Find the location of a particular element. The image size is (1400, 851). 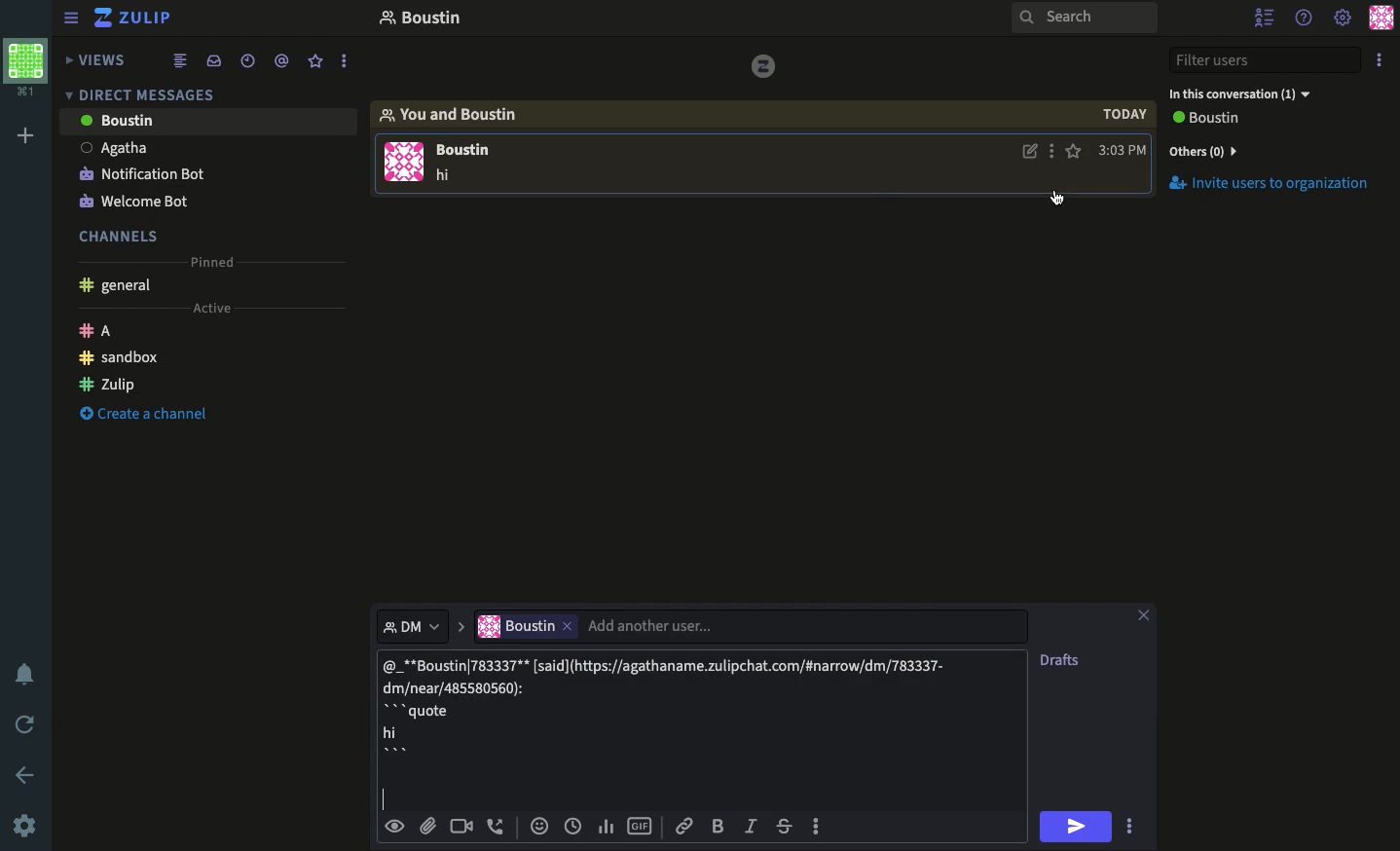

Bol is located at coordinates (721, 827).